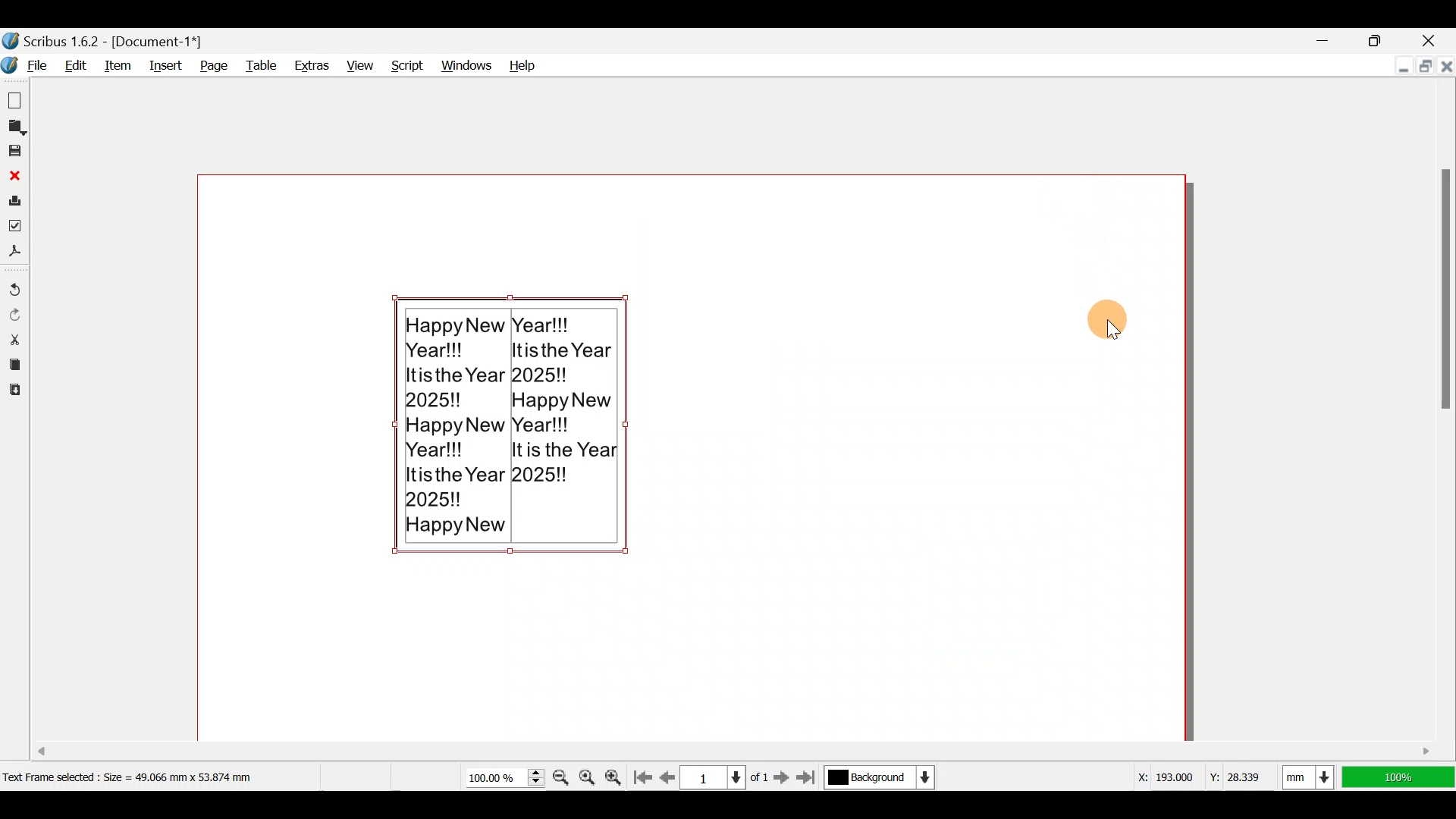 The image size is (1456, 819). Describe the element at coordinates (559, 777) in the screenshot. I see `Zoom out by the stepping value in tools preferences` at that location.